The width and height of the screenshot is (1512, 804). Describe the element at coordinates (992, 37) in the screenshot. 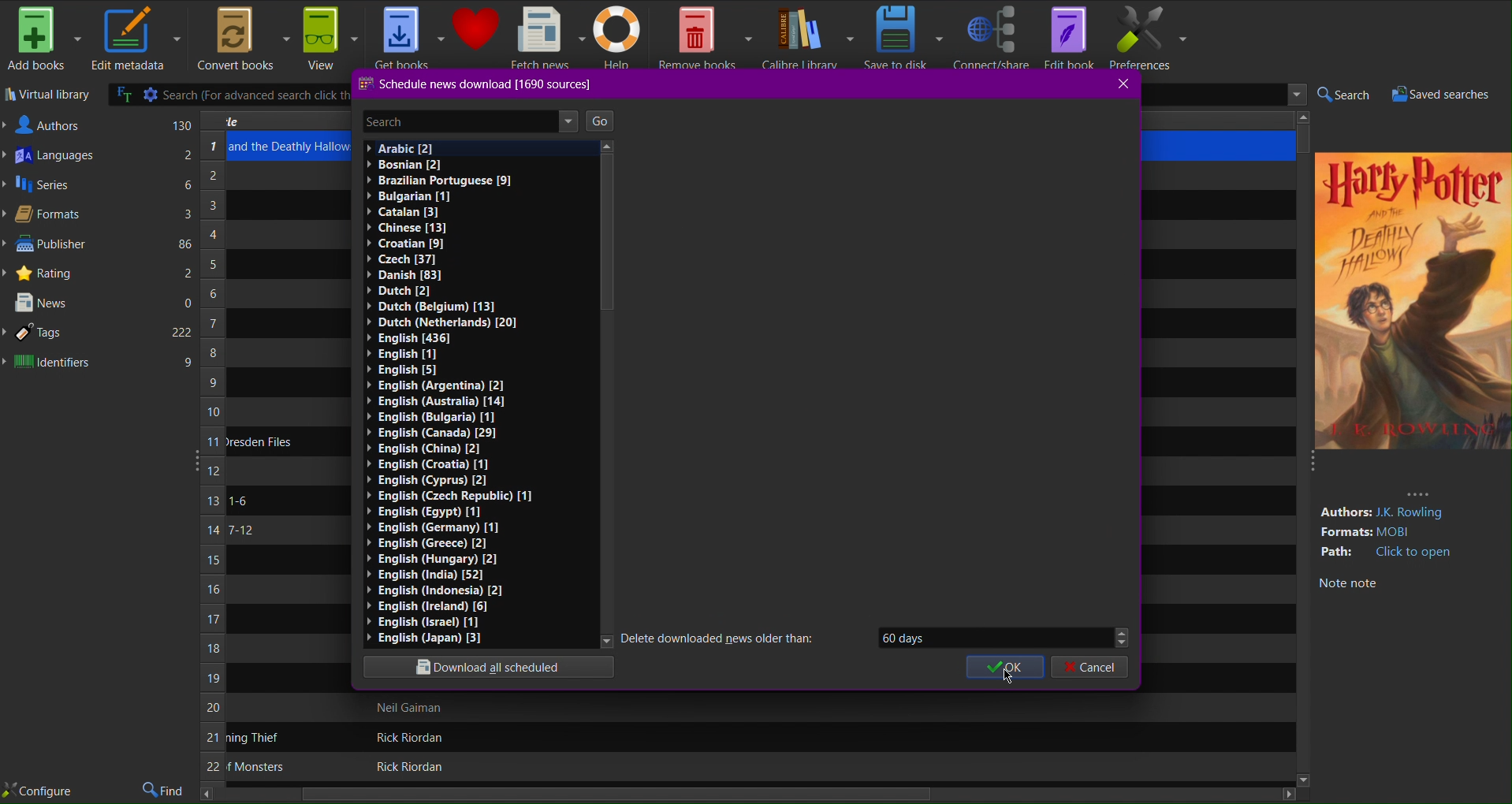

I see `Connect/Share` at that location.